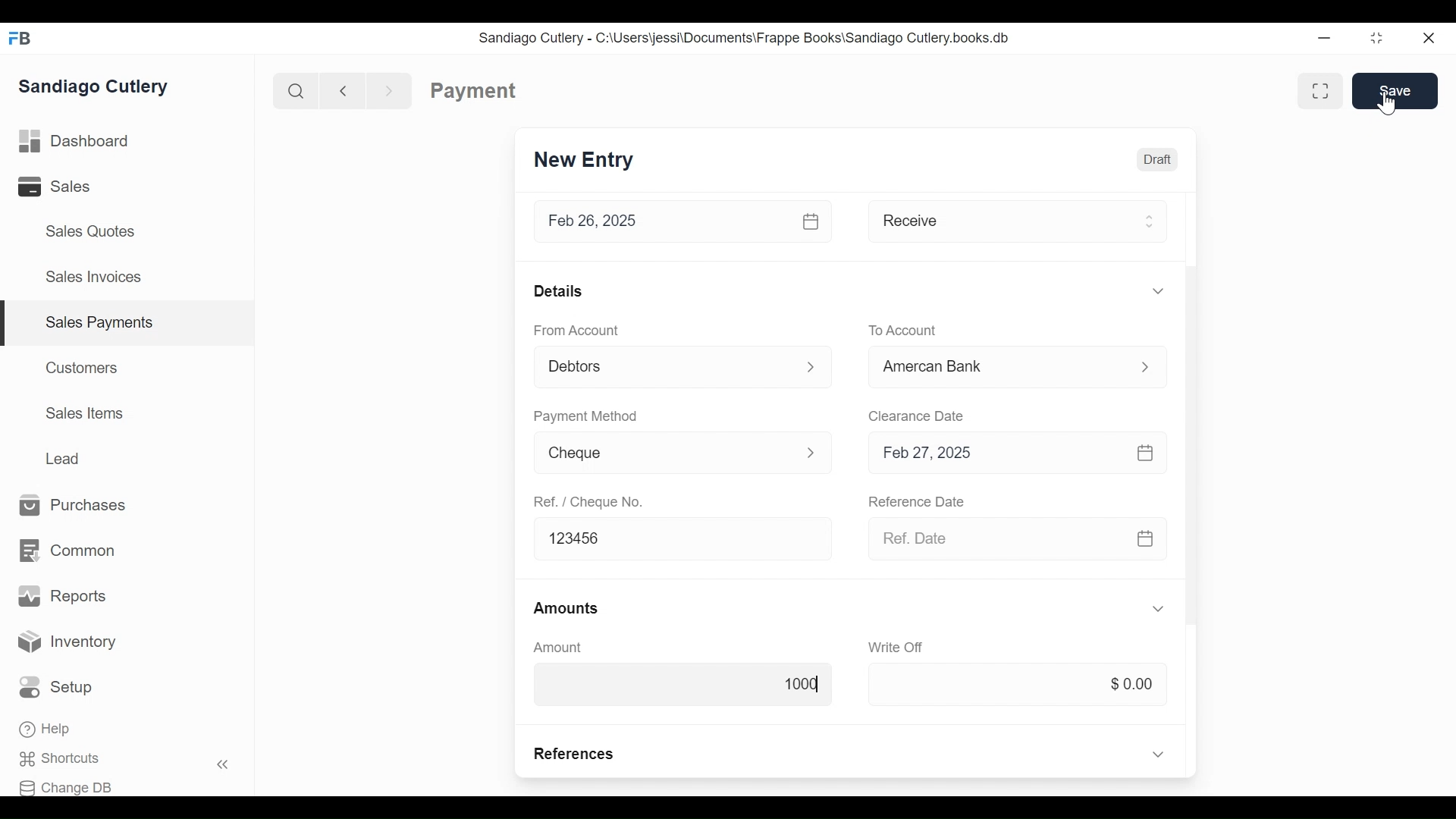  I want to click on Amounts, so click(568, 609).